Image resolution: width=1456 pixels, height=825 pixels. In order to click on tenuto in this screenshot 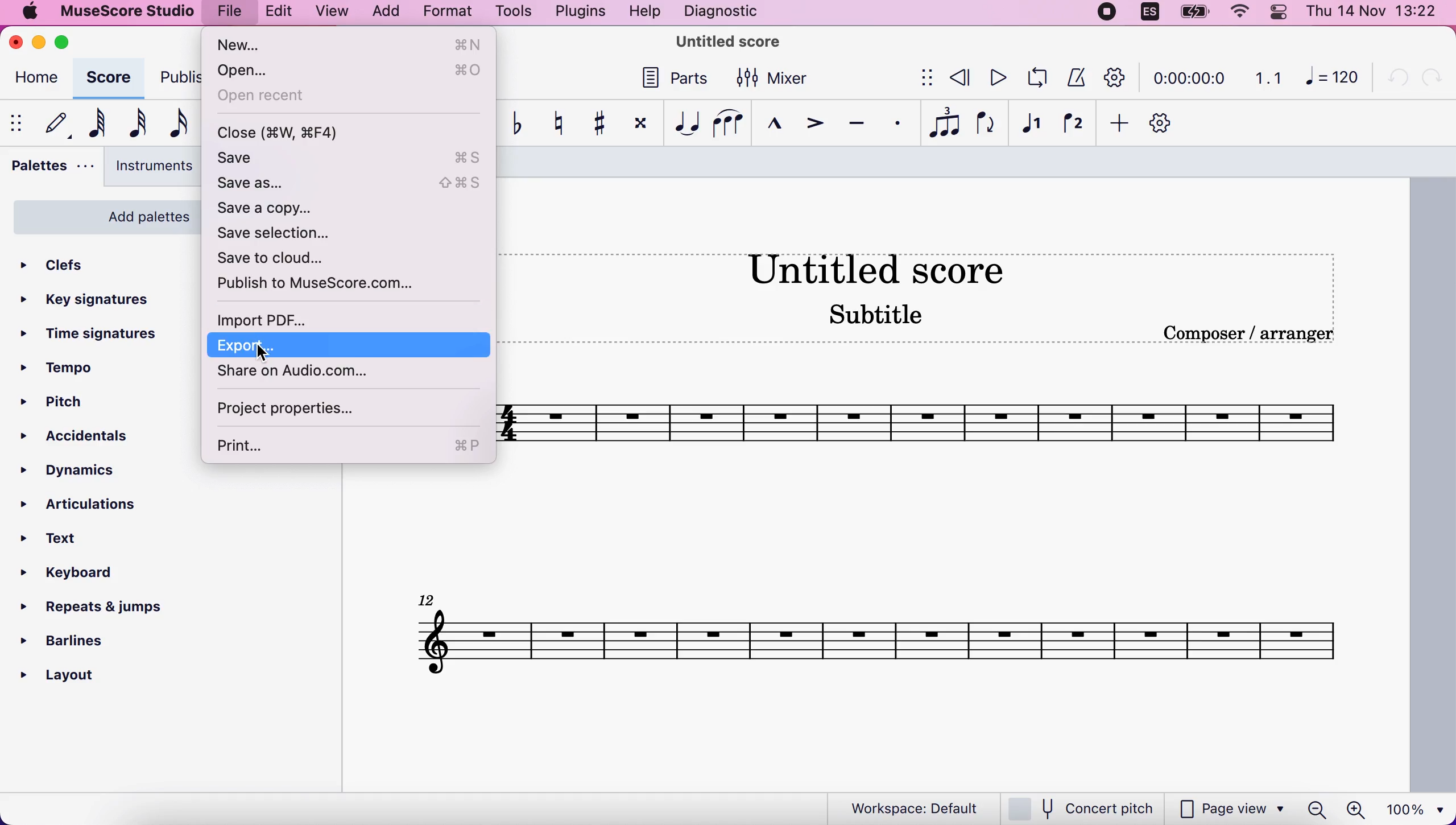, I will do `click(857, 126)`.